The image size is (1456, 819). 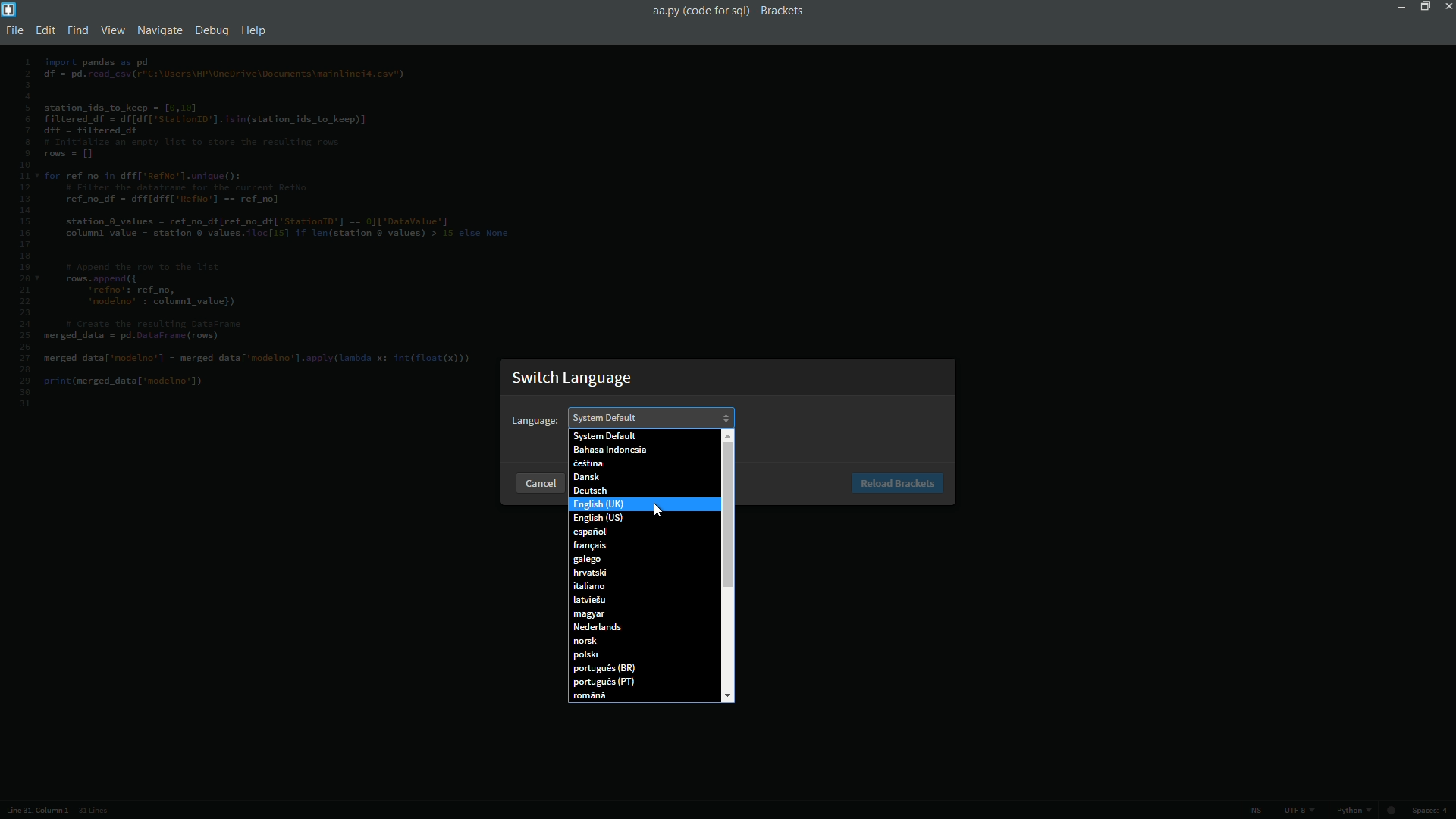 I want to click on language, so click(x=535, y=421).